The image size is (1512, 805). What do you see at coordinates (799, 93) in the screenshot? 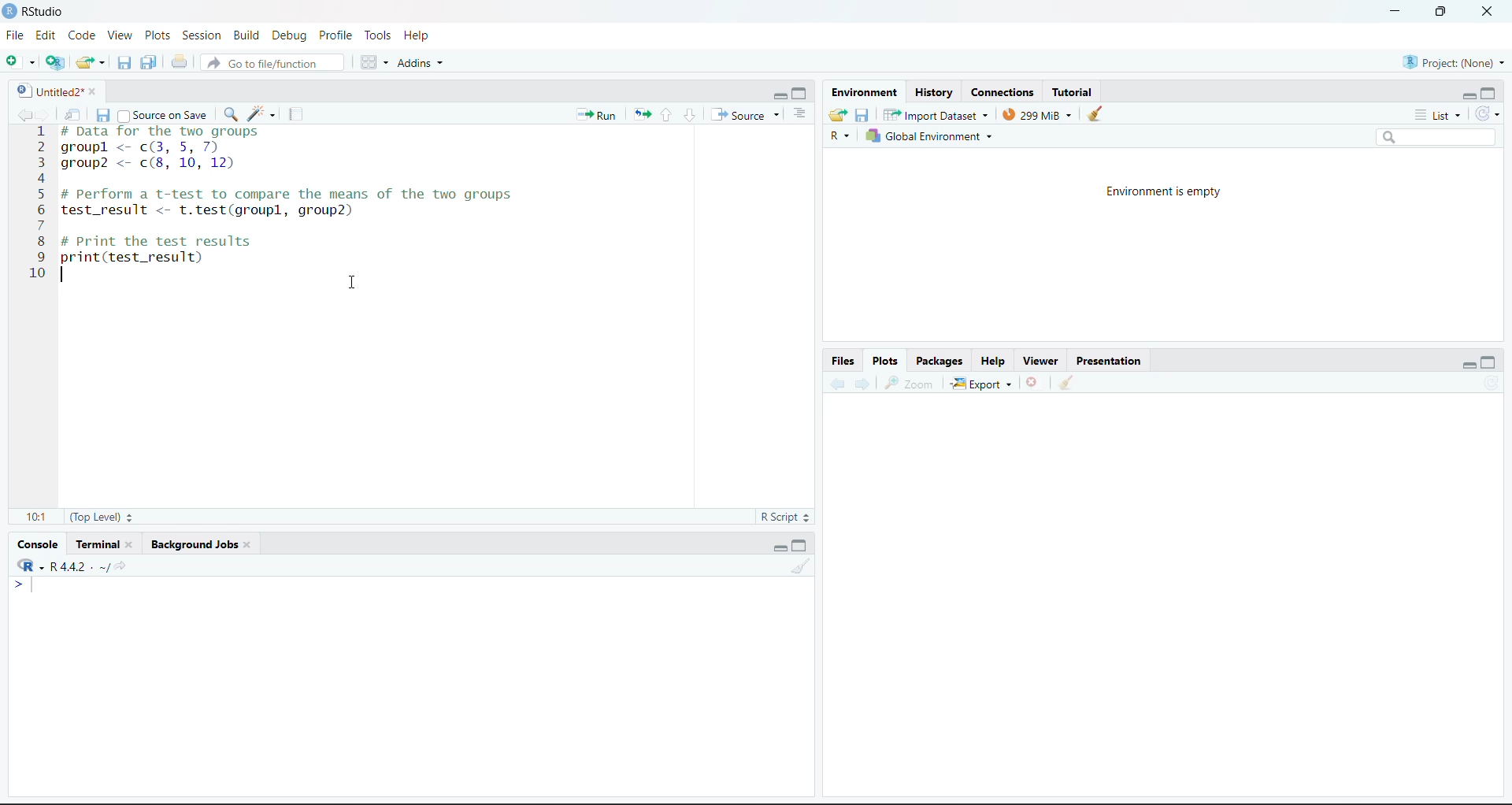
I see `maximize` at bounding box center [799, 93].